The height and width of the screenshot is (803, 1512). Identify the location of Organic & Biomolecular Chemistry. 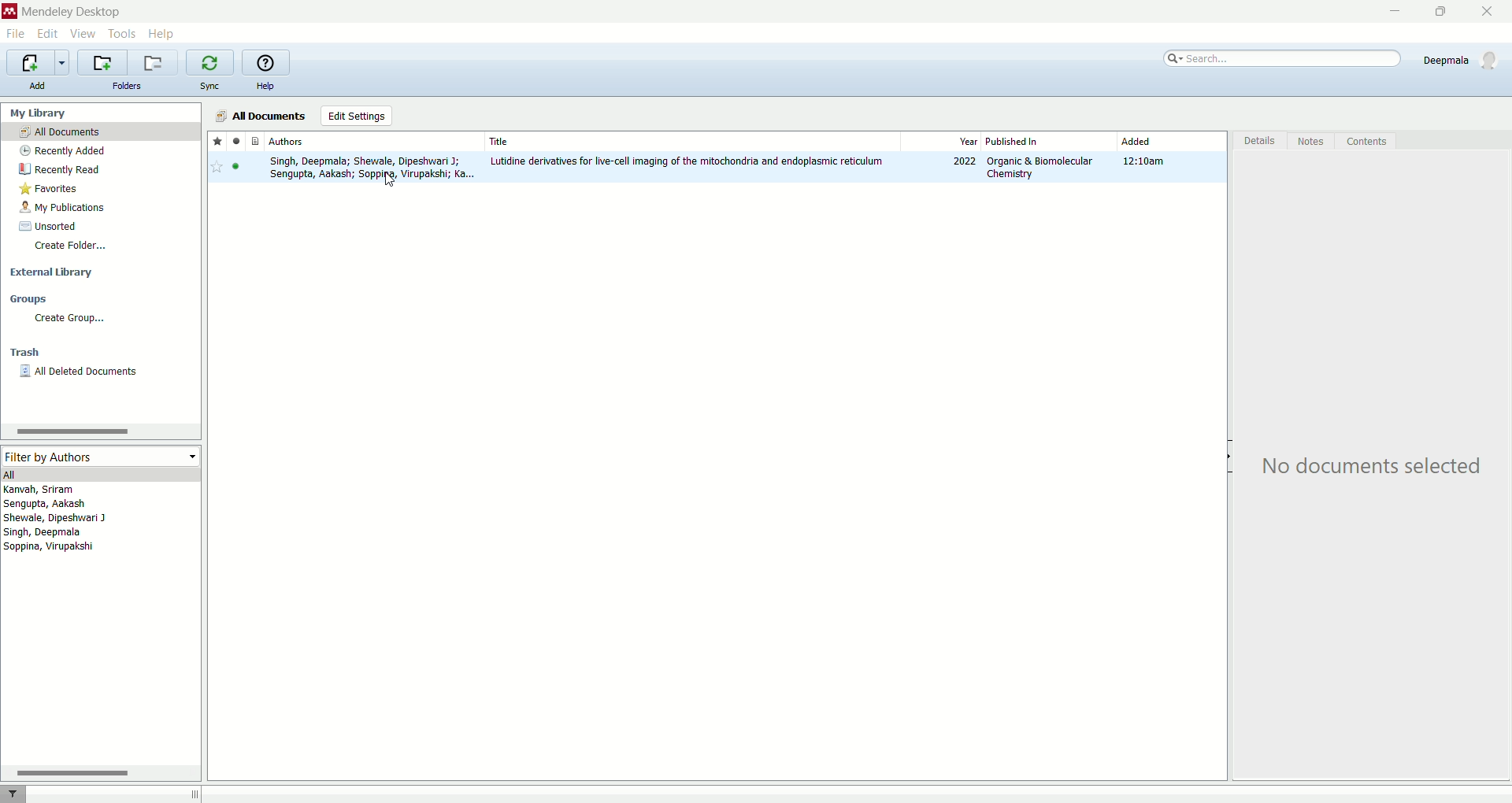
(1039, 167).